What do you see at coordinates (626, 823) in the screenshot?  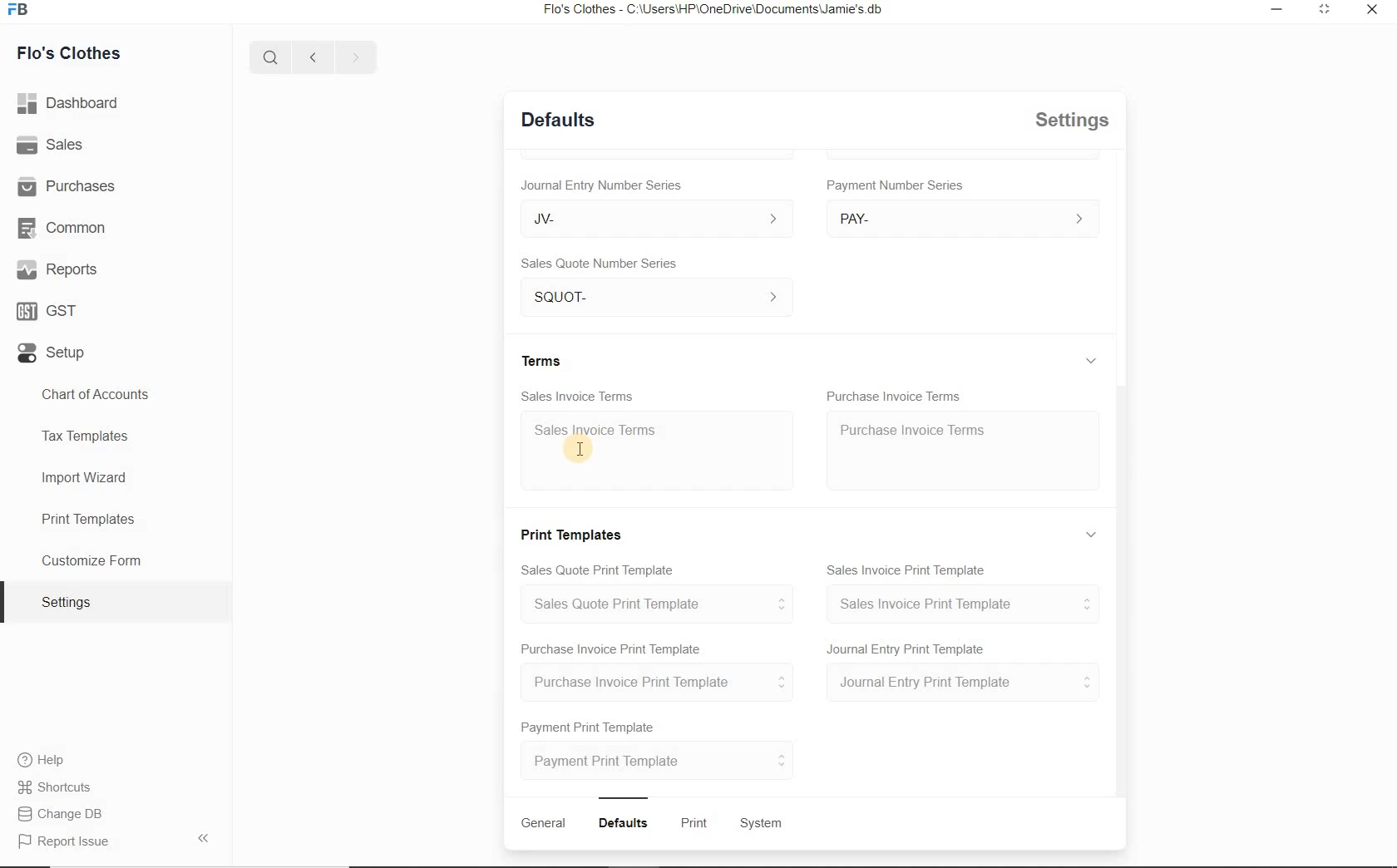 I see `Defaults` at bounding box center [626, 823].